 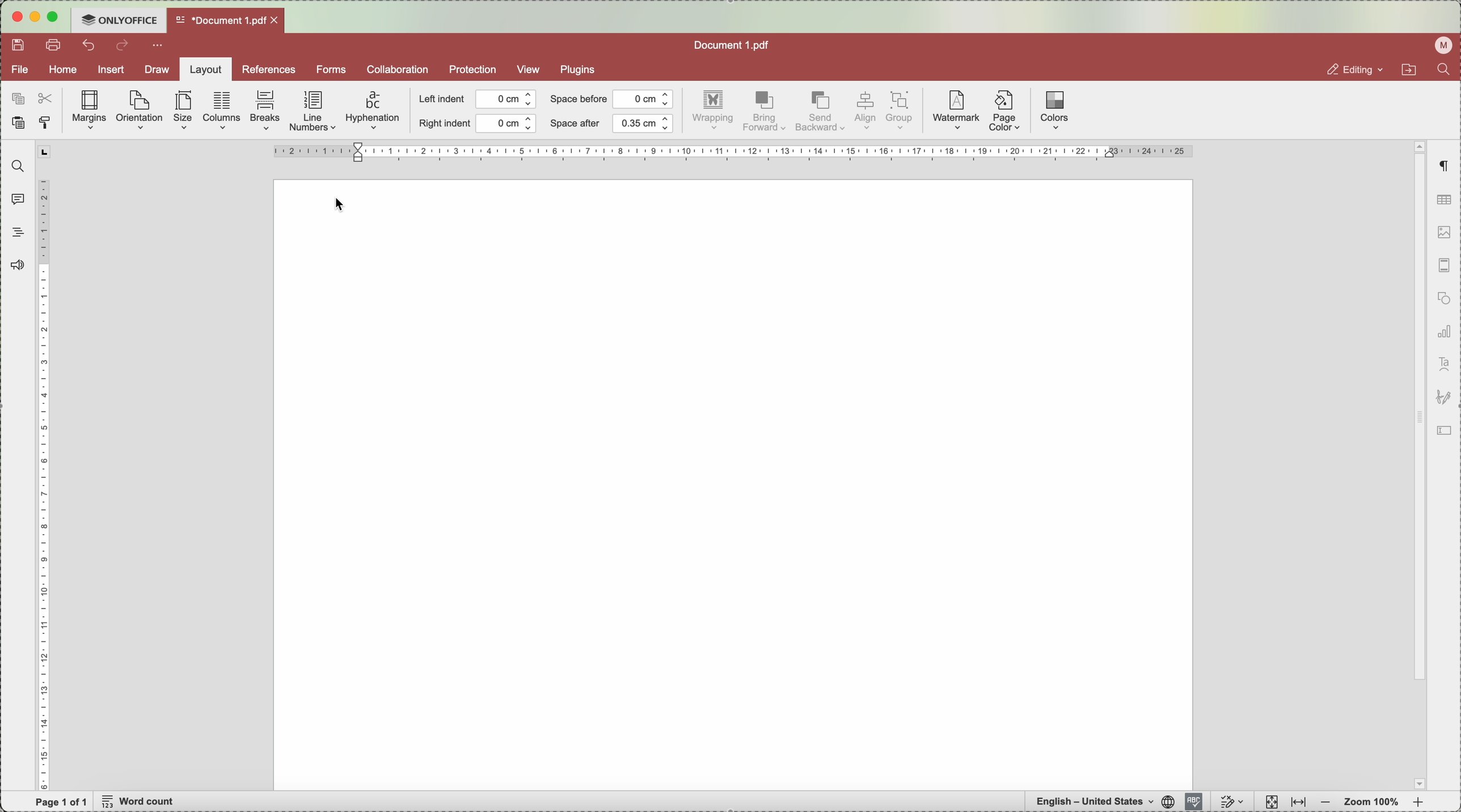 What do you see at coordinates (153, 70) in the screenshot?
I see `draw` at bounding box center [153, 70].